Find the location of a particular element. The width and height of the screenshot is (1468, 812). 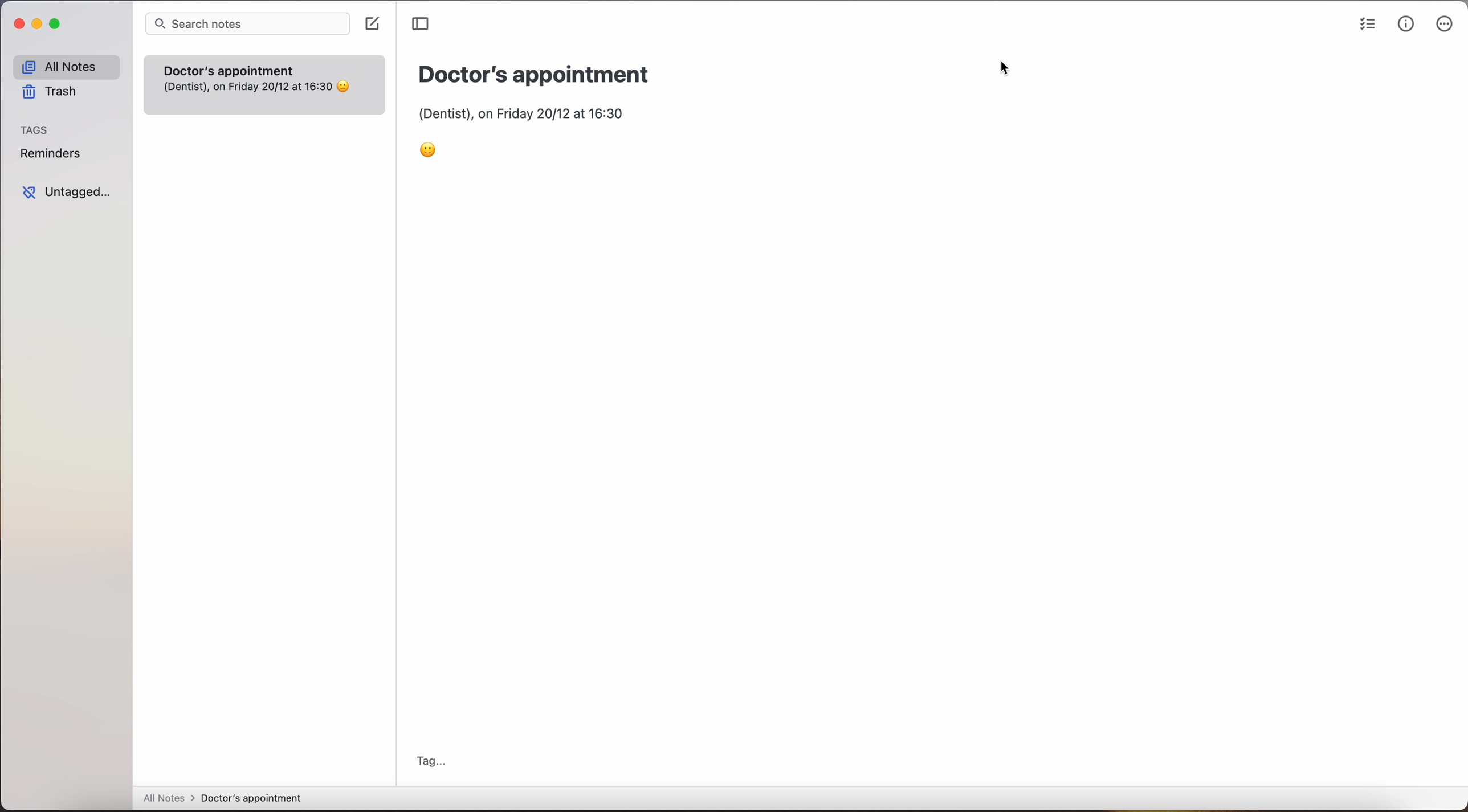

(Dentist), on Friday 20/12 at 16:30 is located at coordinates (533, 111).